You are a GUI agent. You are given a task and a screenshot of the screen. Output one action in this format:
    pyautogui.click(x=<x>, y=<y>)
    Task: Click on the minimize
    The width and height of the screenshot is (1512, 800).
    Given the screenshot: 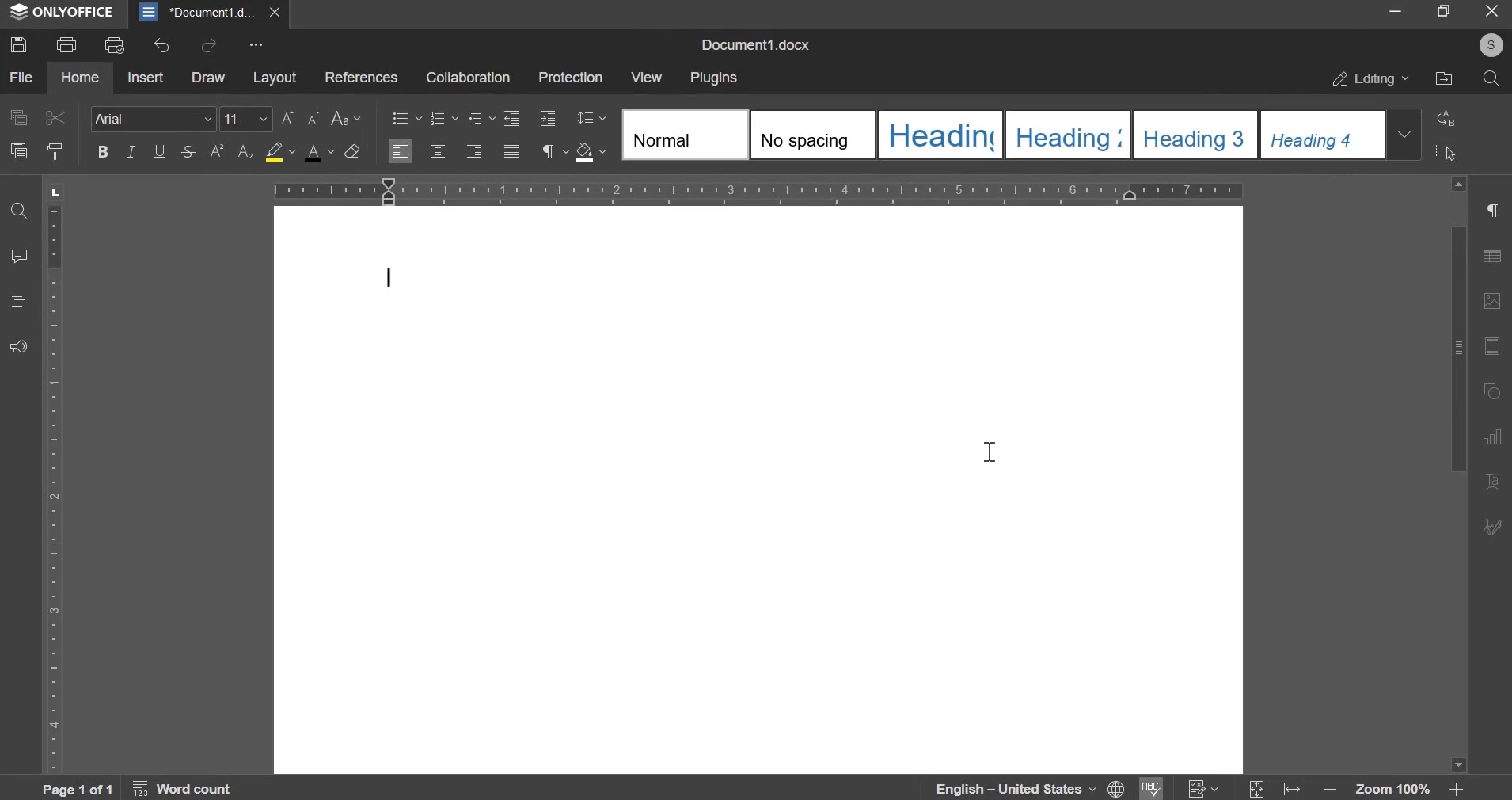 What is the action you would take?
    pyautogui.click(x=1392, y=11)
    